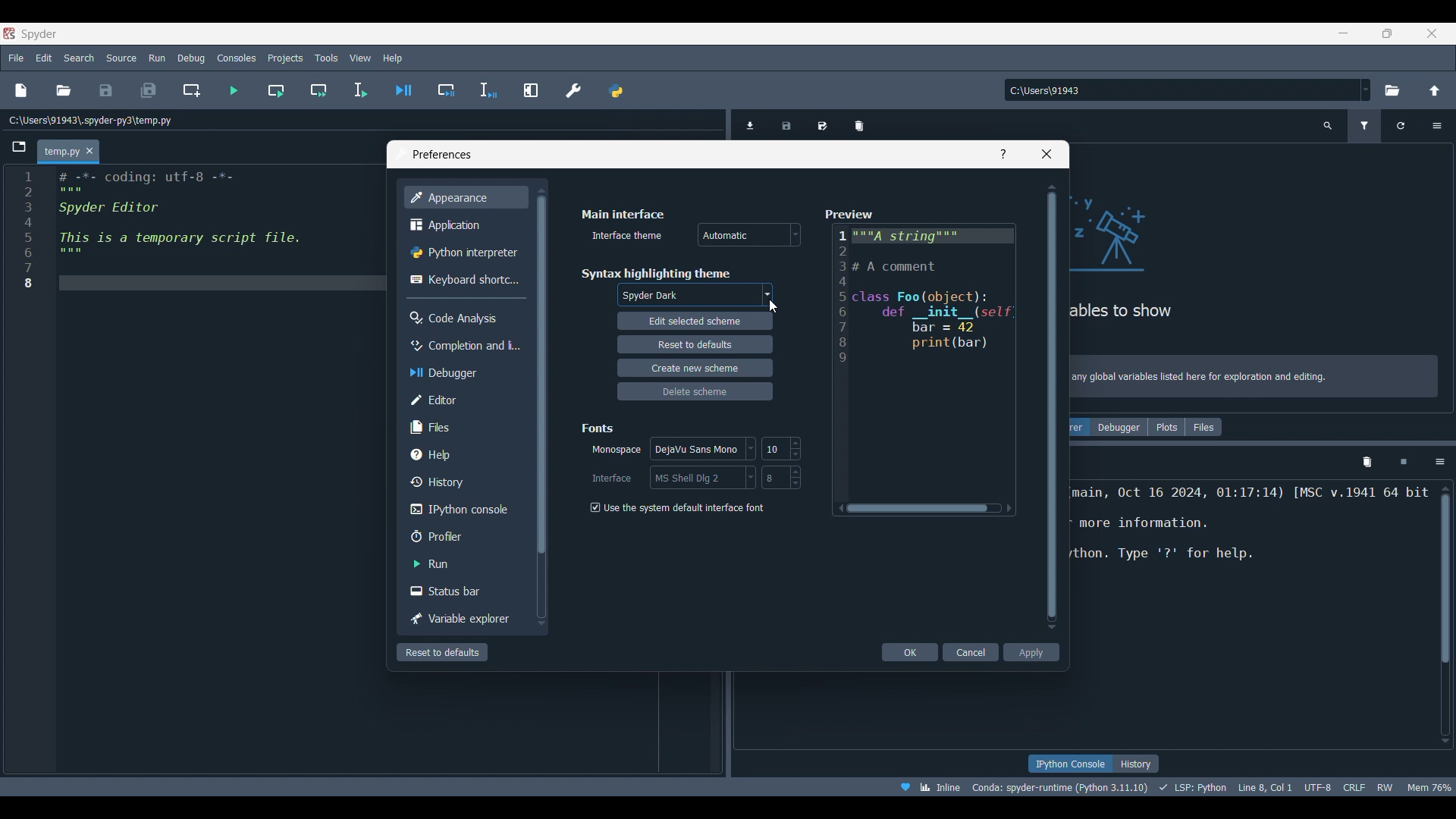 The height and width of the screenshot is (819, 1456). I want to click on IPython console, so click(463, 510).